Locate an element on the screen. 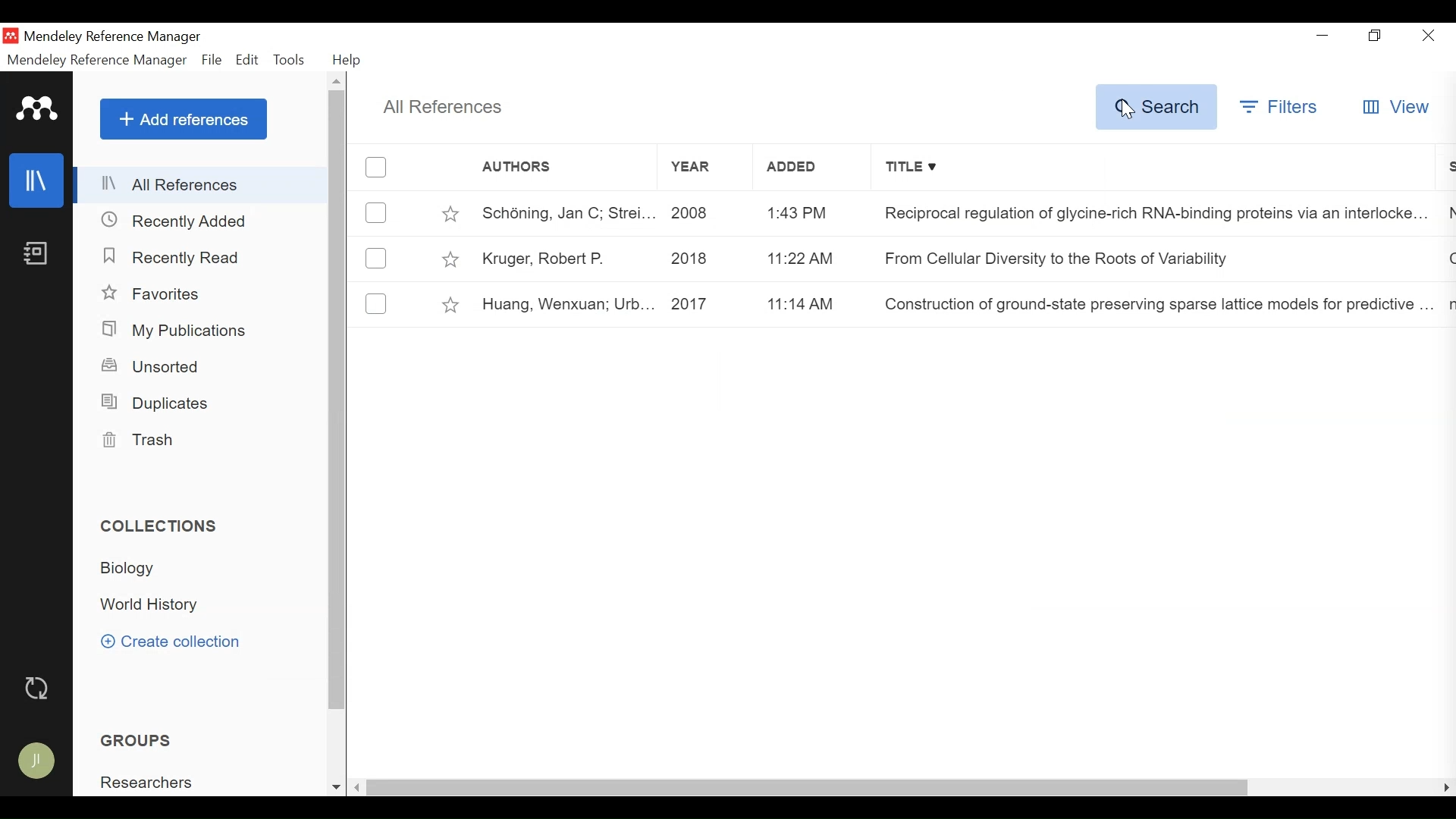 The image size is (1456, 819). 11:14 AM is located at coordinates (816, 304).